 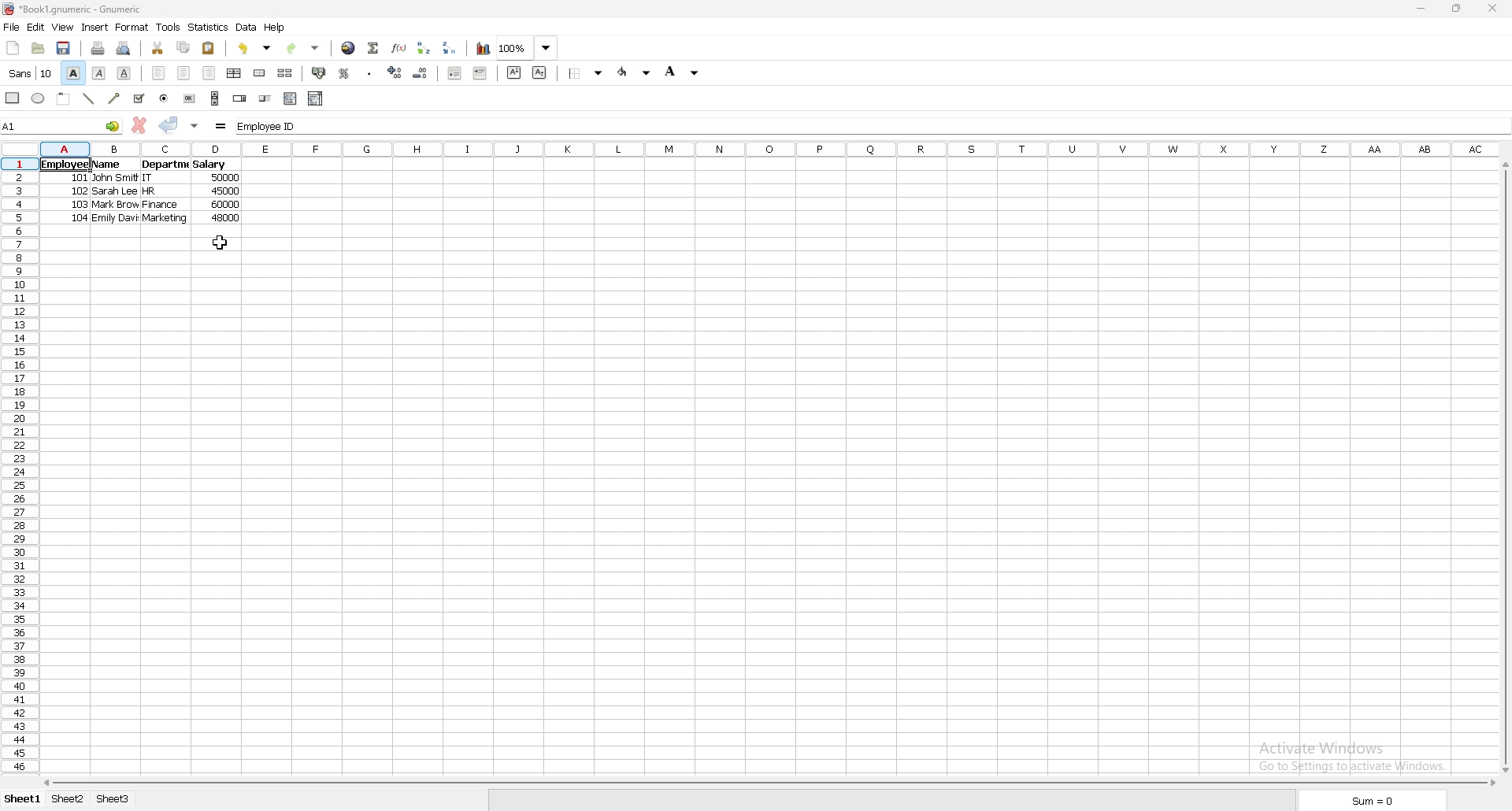 I want to click on 6000, so click(x=224, y=206).